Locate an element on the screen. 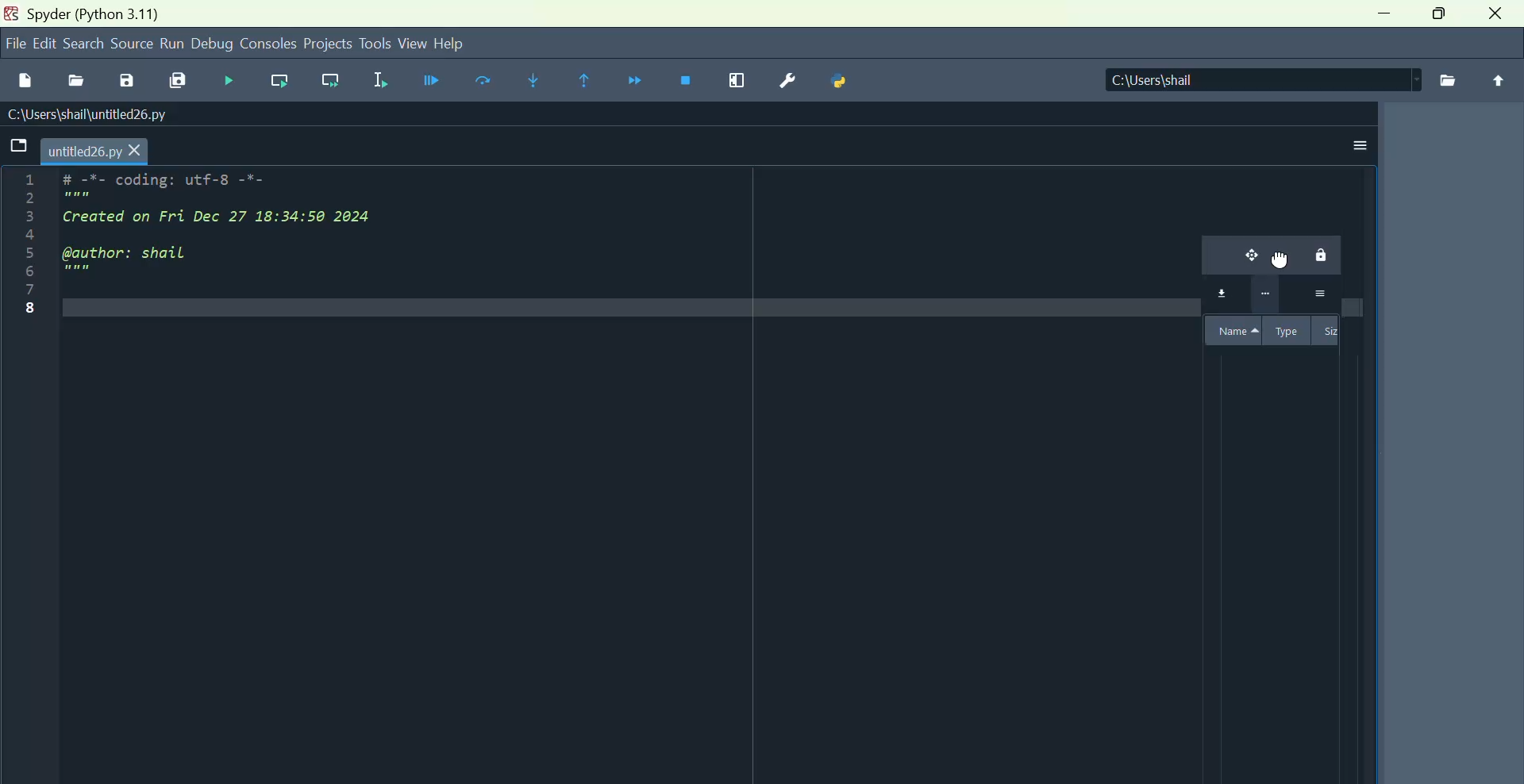   is located at coordinates (47, 43).